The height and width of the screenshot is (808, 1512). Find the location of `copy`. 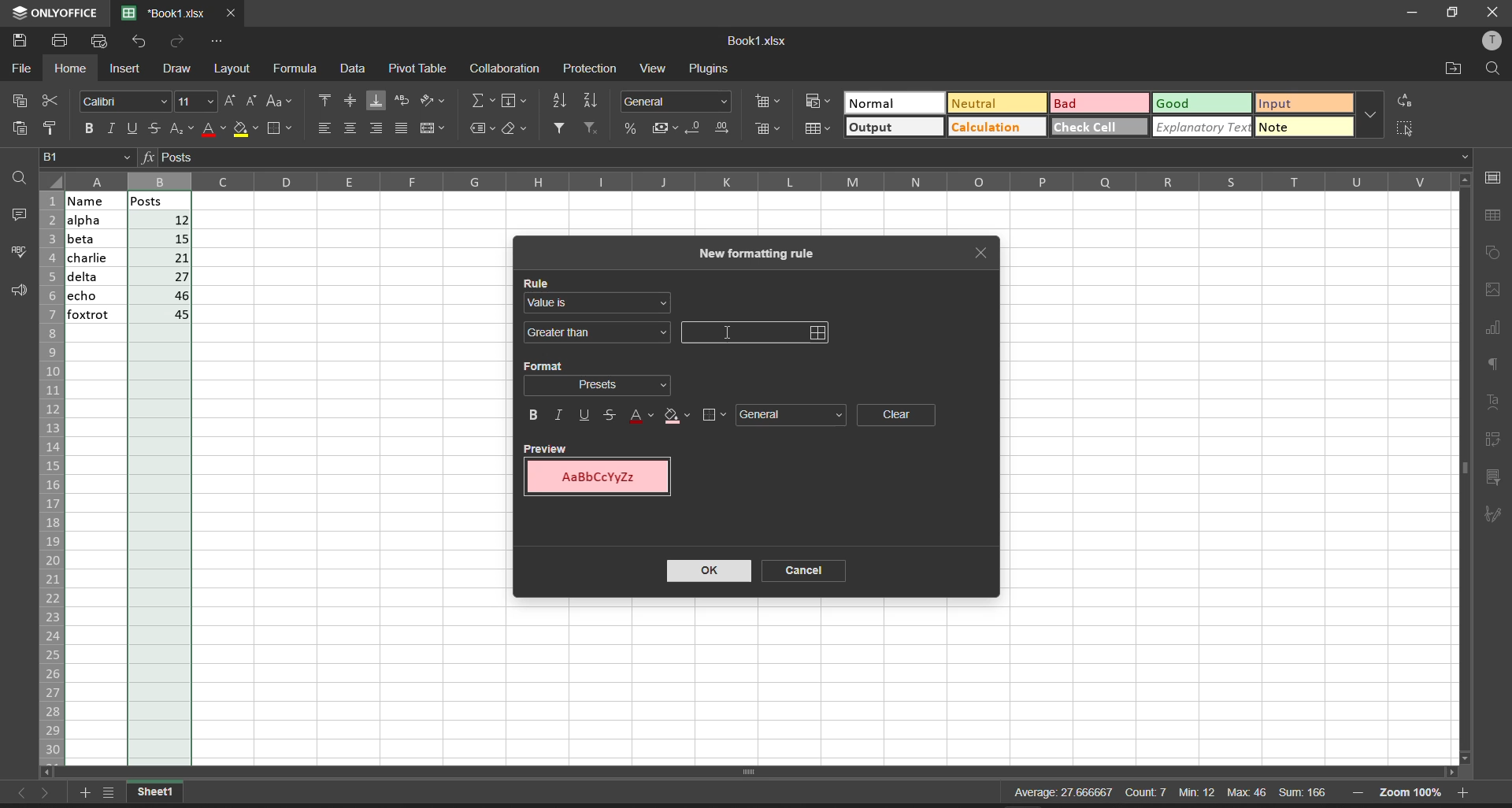

copy is located at coordinates (14, 102).